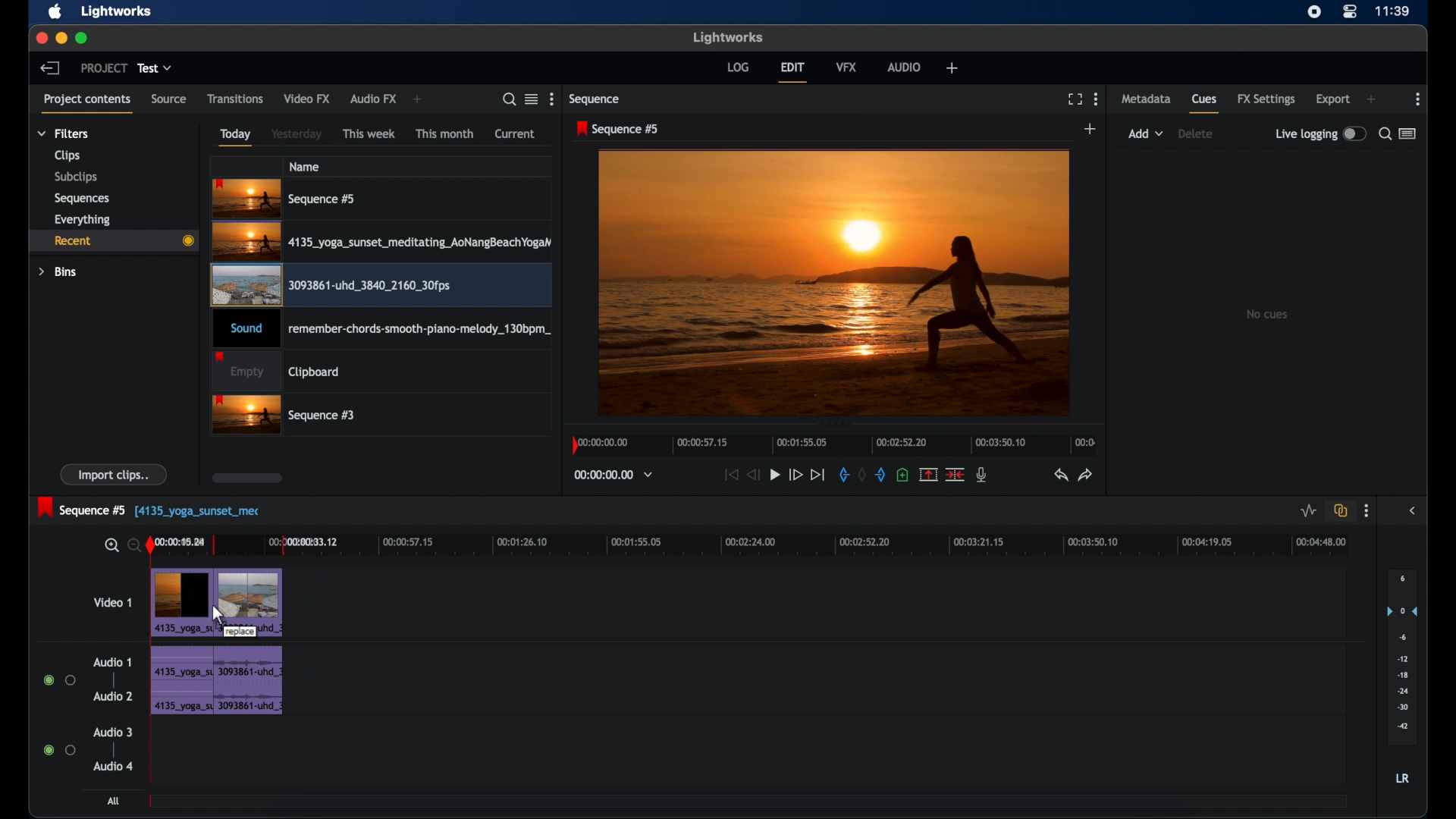 The width and height of the screenshot is (1456, 819). I want to click on time, so click(1392, 11).